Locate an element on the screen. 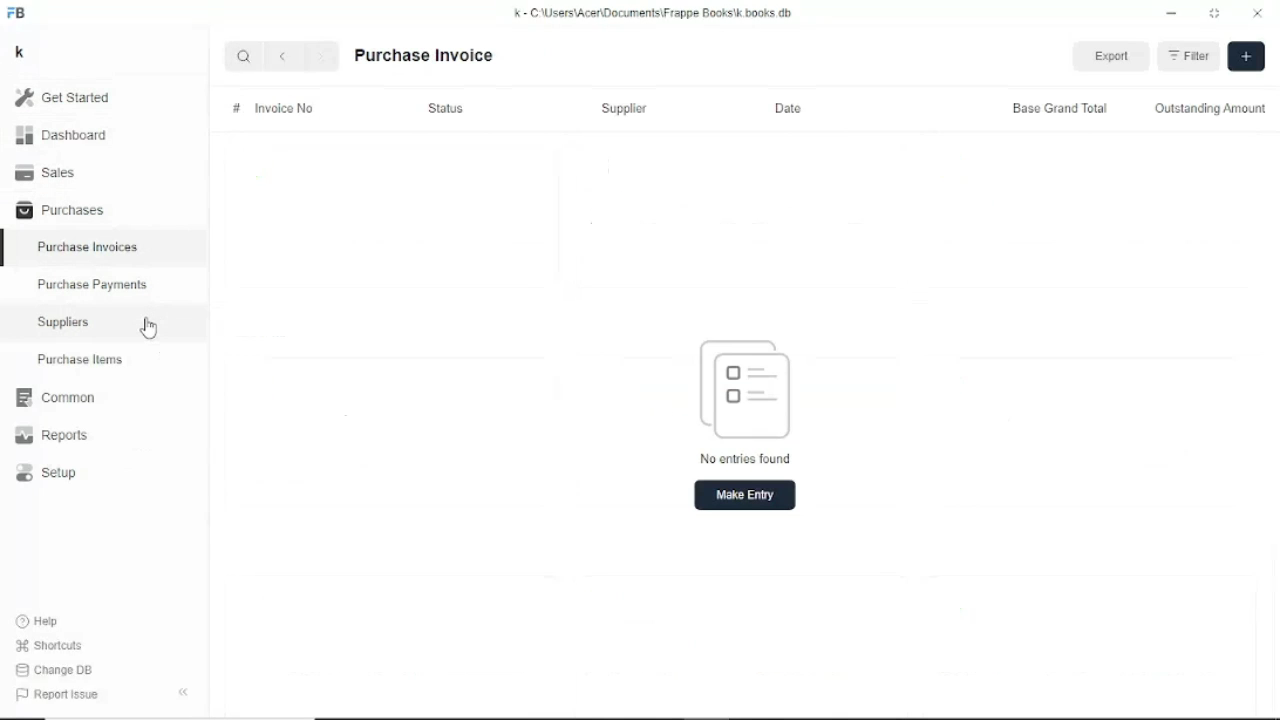 Image resolution: width=1280 pixels, height=720 pixels. No entries found is located at coordinates (747, 403).